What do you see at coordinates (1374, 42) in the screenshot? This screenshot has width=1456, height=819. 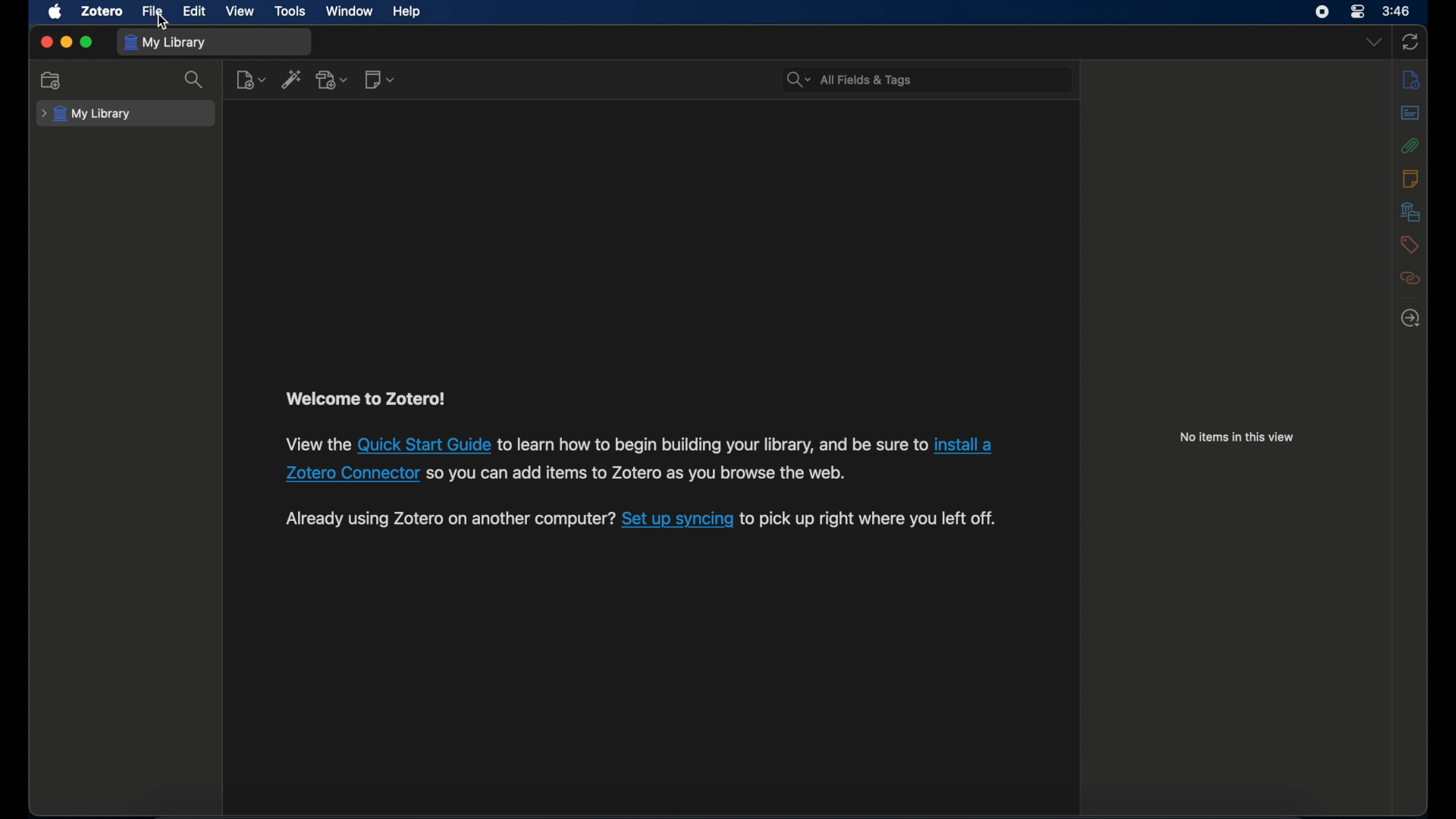 I see `dropdown` at bounding box center [1374, 42].